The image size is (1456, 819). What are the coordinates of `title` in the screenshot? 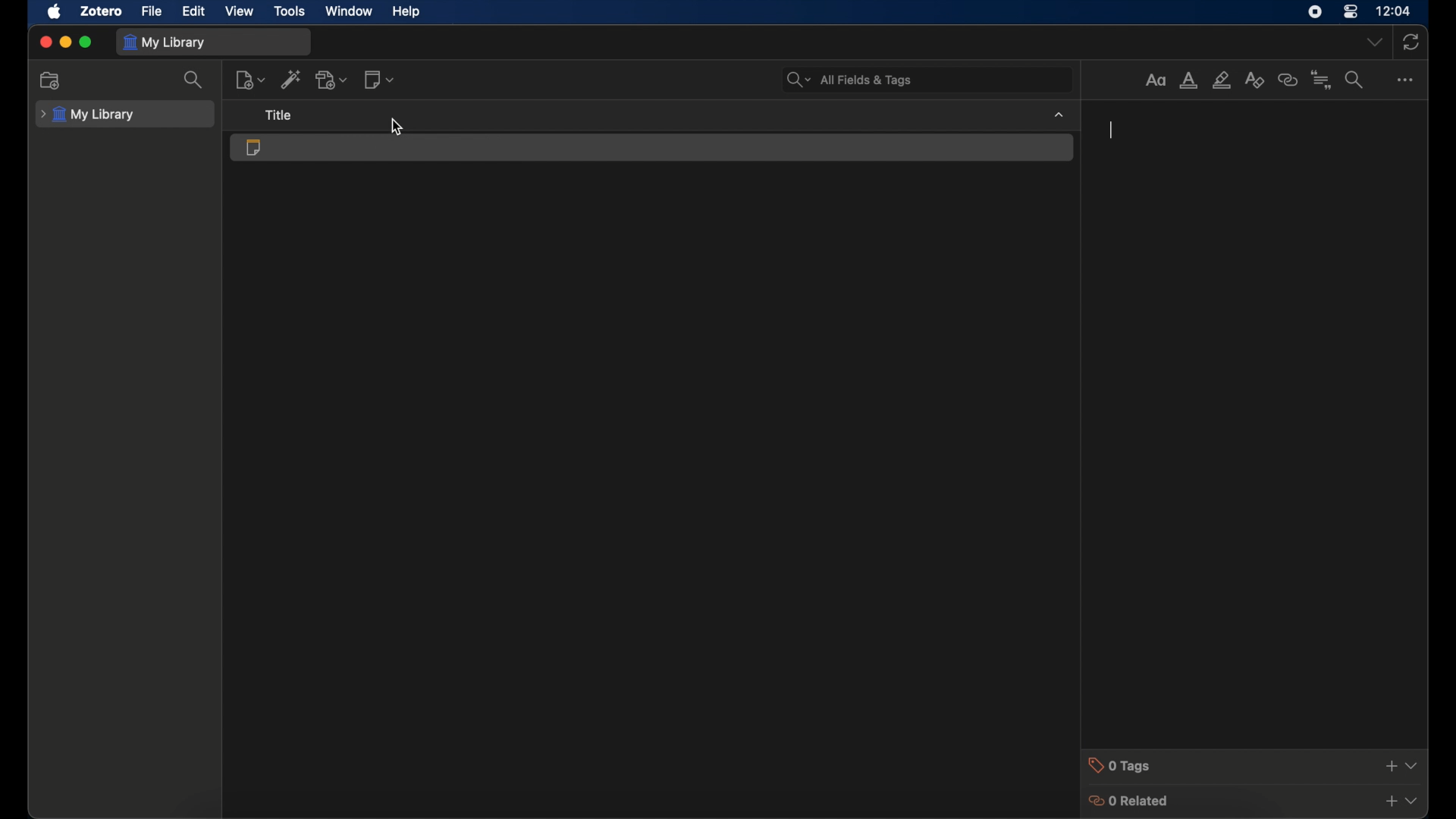 It's located at (278, 115).